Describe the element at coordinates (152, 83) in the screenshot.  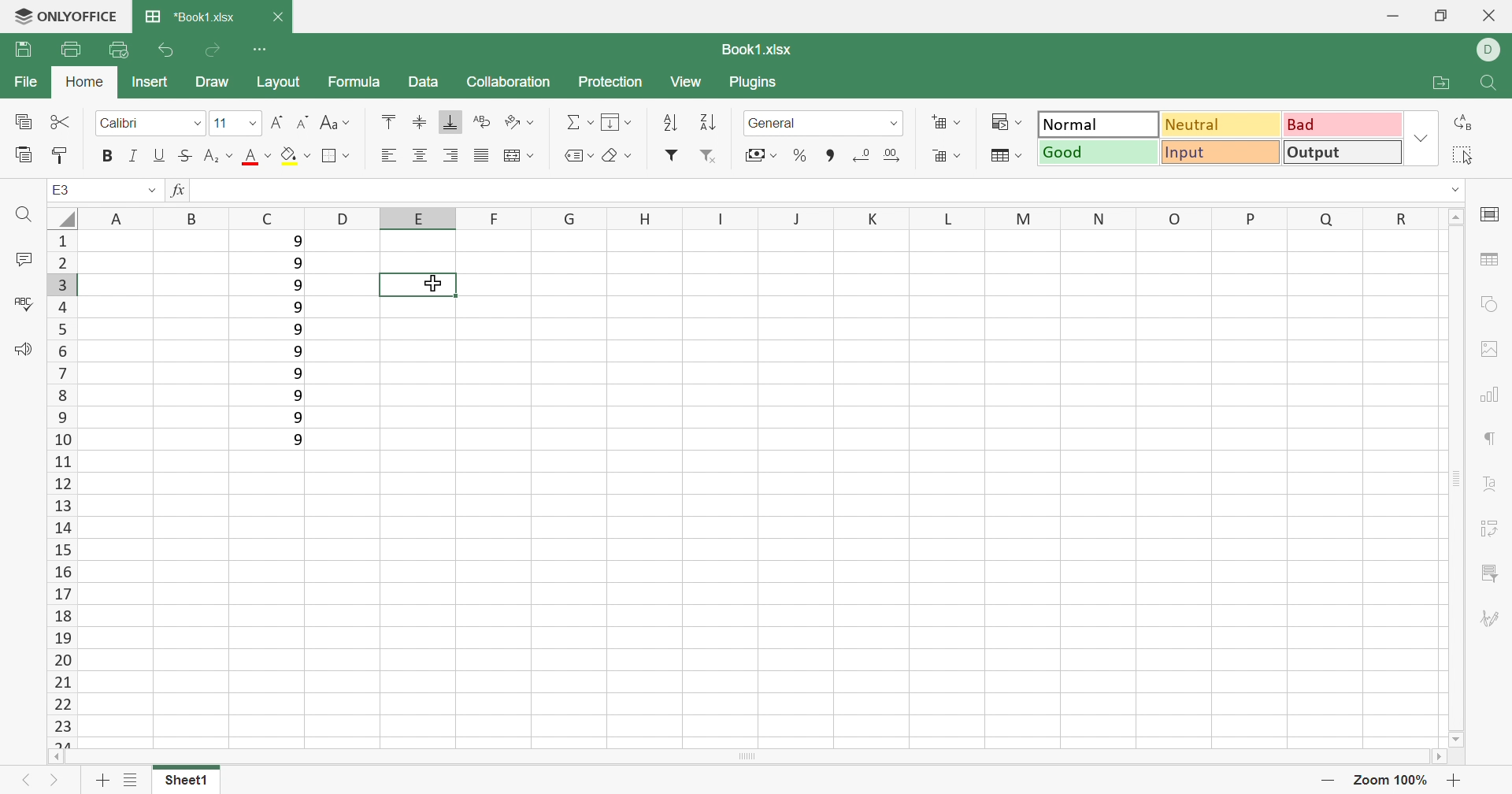
I see `Insert` at that location.